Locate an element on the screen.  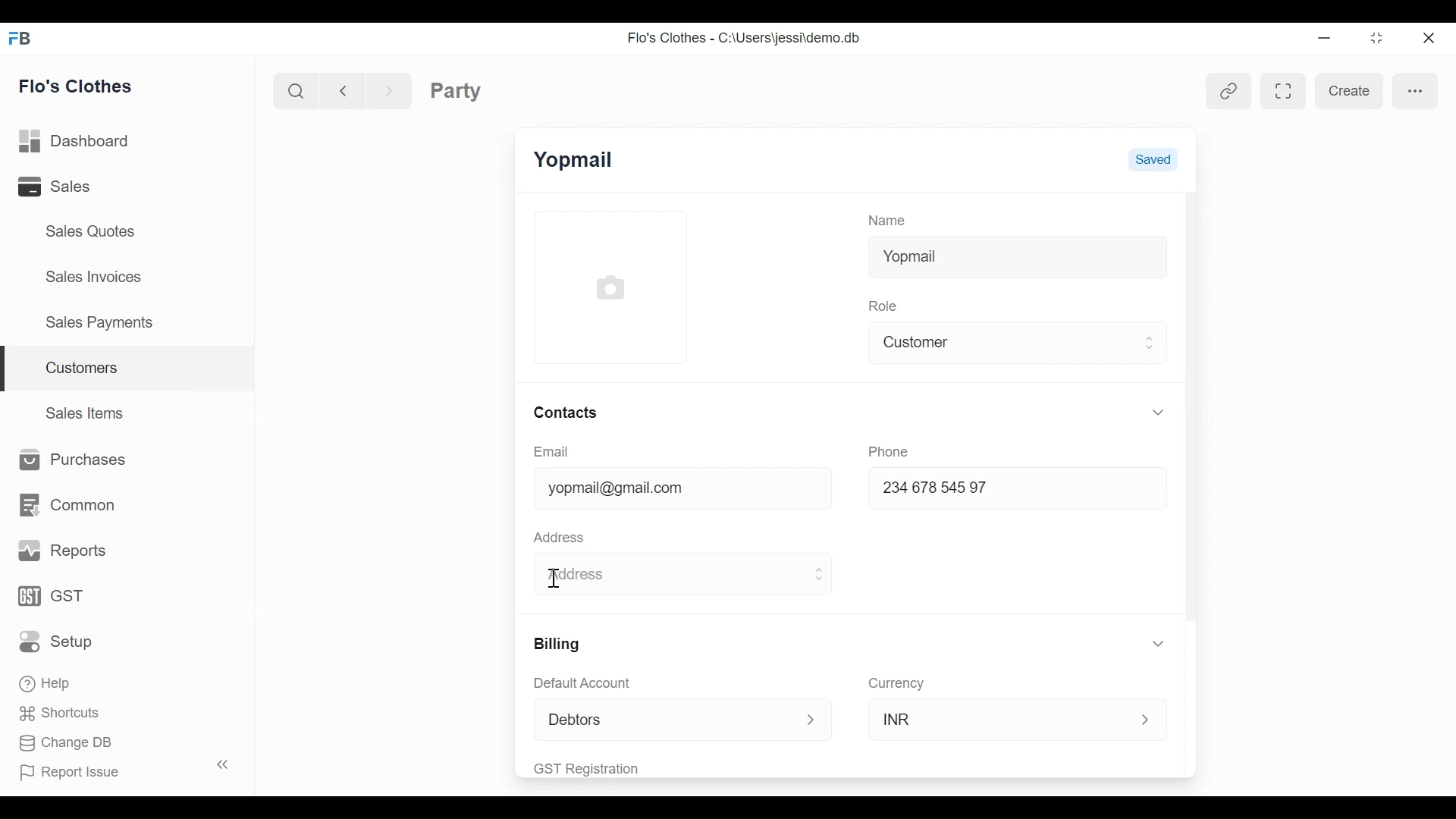
Customers is located at coordinates (129, 369).